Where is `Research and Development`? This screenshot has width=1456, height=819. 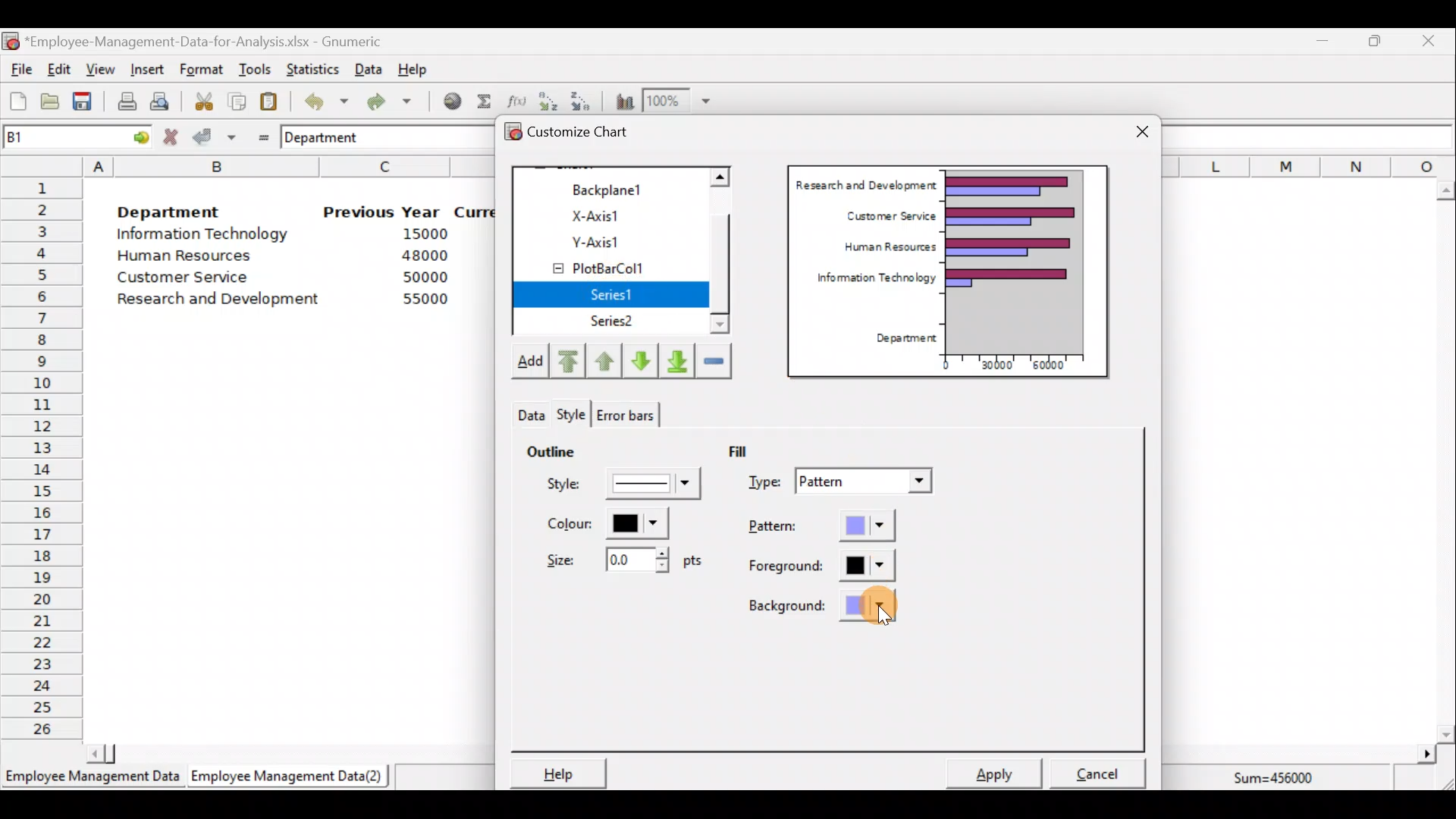 Research and Development is located at coordinates (865, 183).